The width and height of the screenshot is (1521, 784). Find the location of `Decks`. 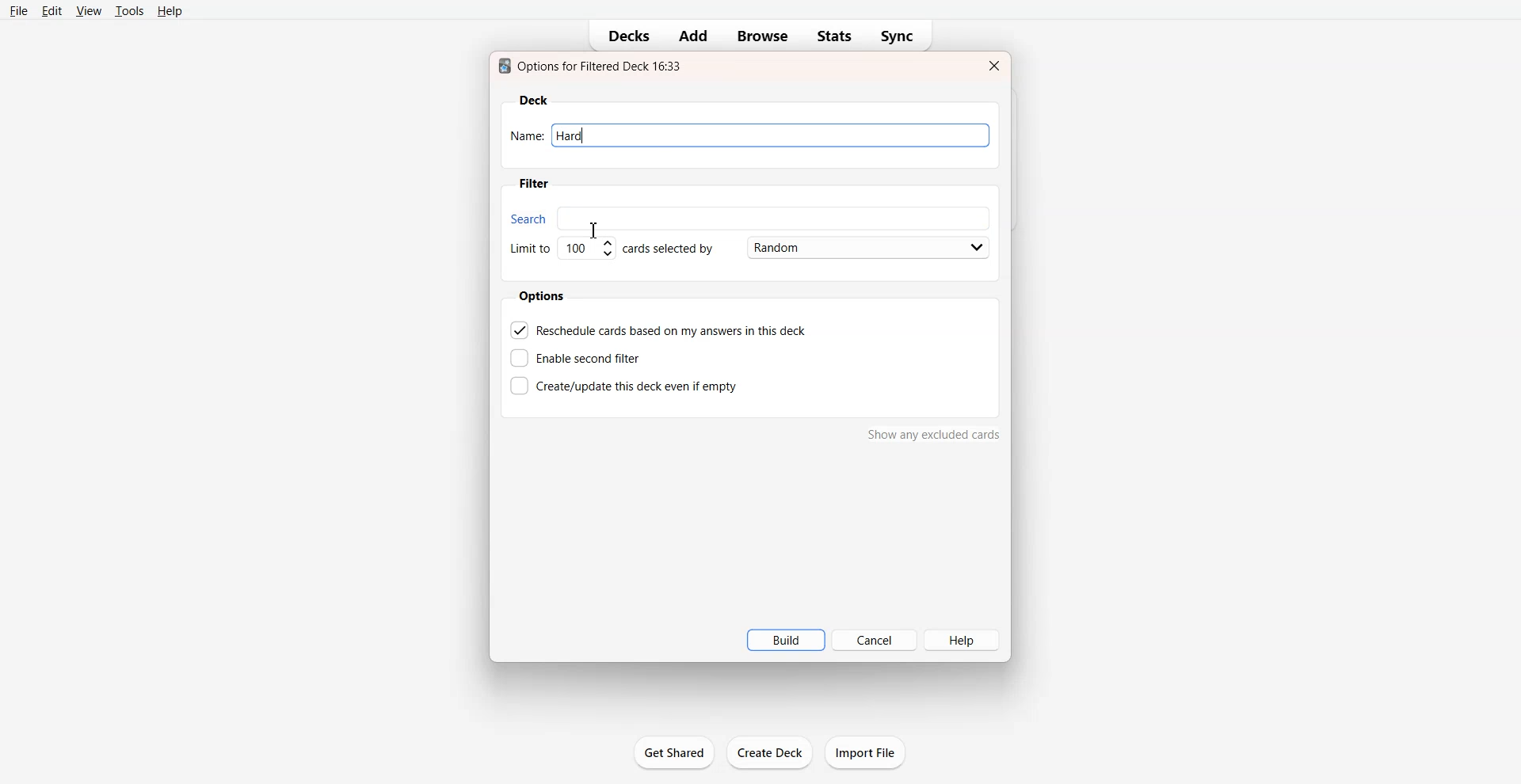

Decks is located at coordinates (623, 36).